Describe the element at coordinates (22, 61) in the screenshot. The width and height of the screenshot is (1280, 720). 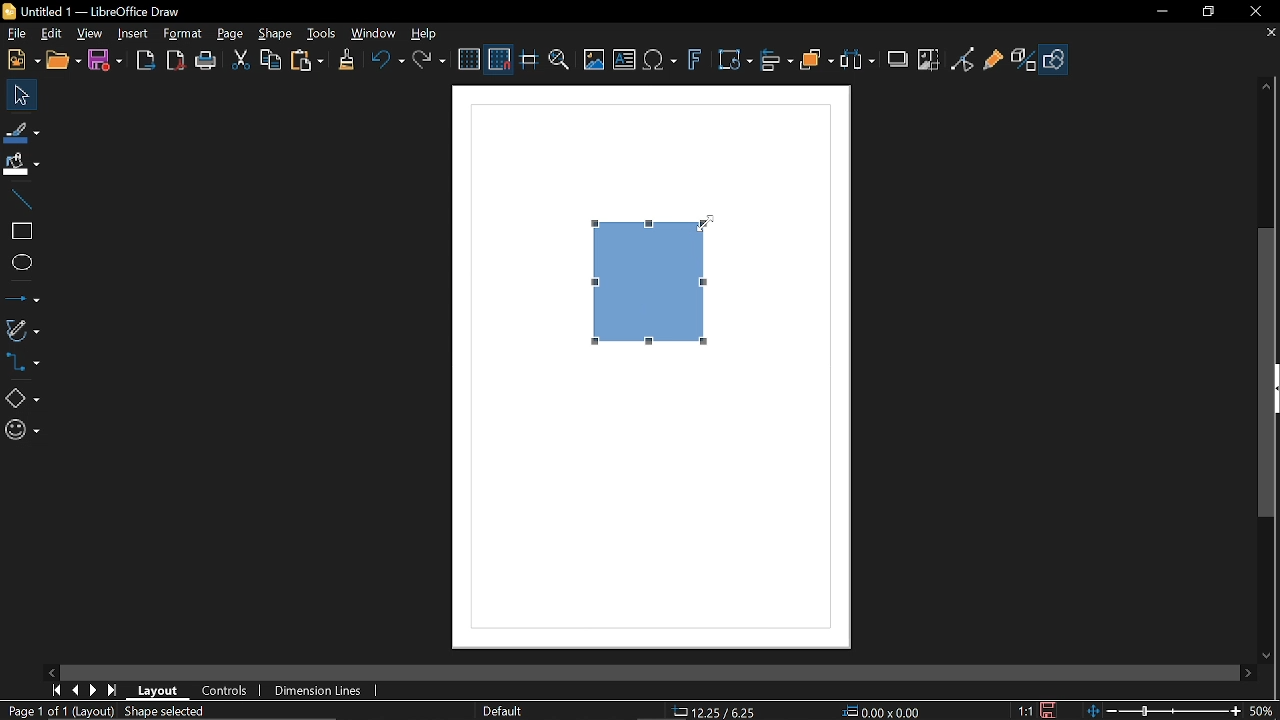
I see `New` at that location.